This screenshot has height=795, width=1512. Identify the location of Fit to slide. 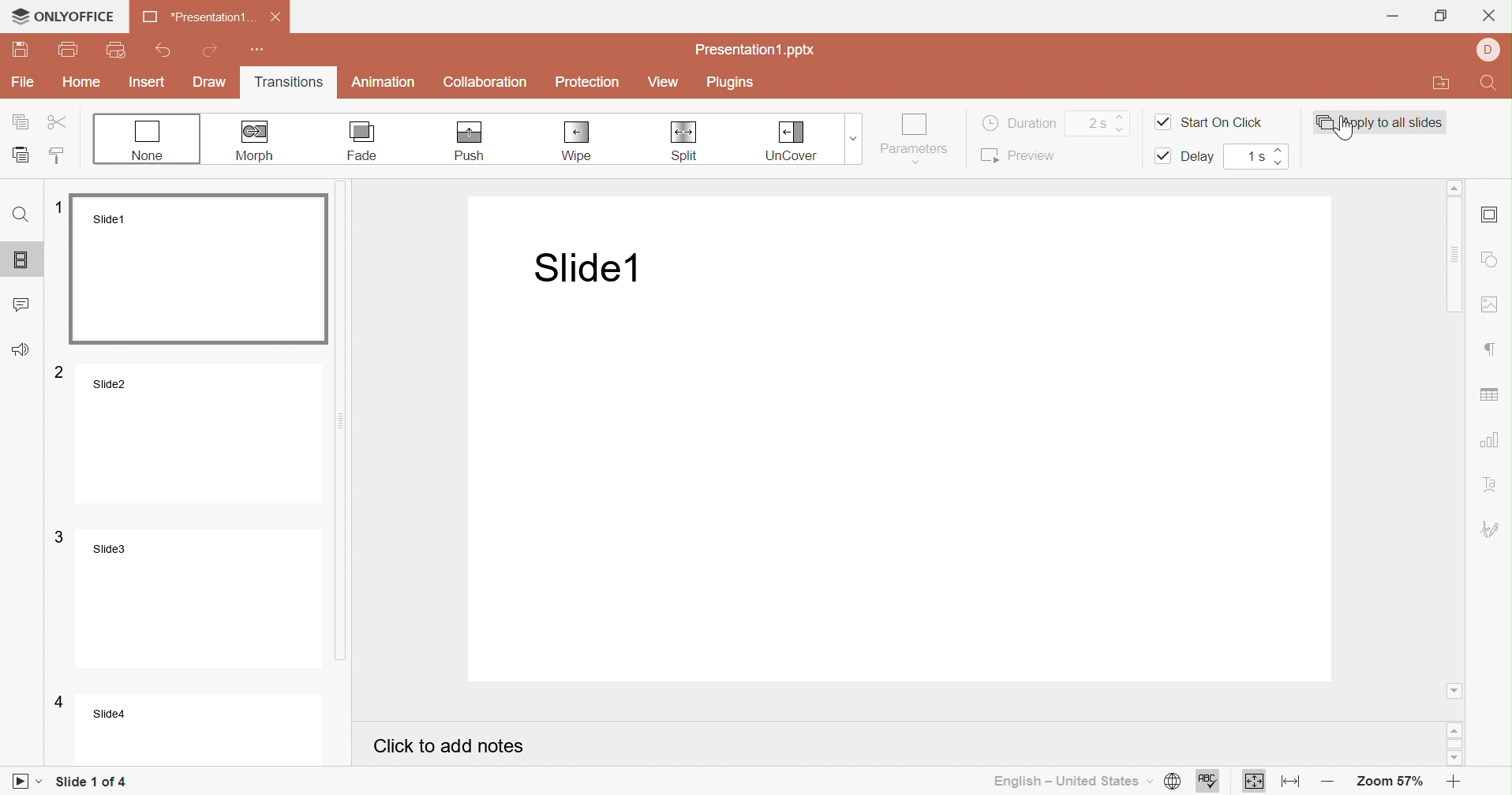
(1253, 781).